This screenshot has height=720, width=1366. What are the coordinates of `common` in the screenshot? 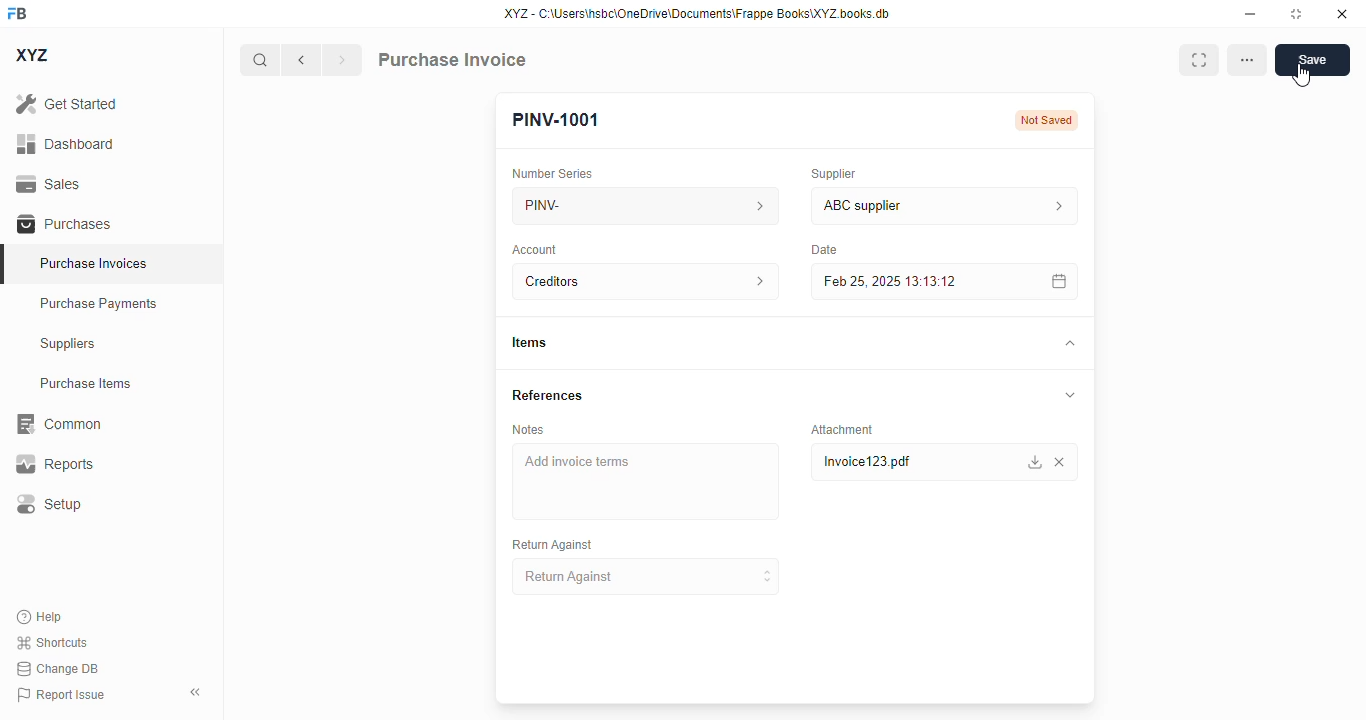 It's located at (57, 424).